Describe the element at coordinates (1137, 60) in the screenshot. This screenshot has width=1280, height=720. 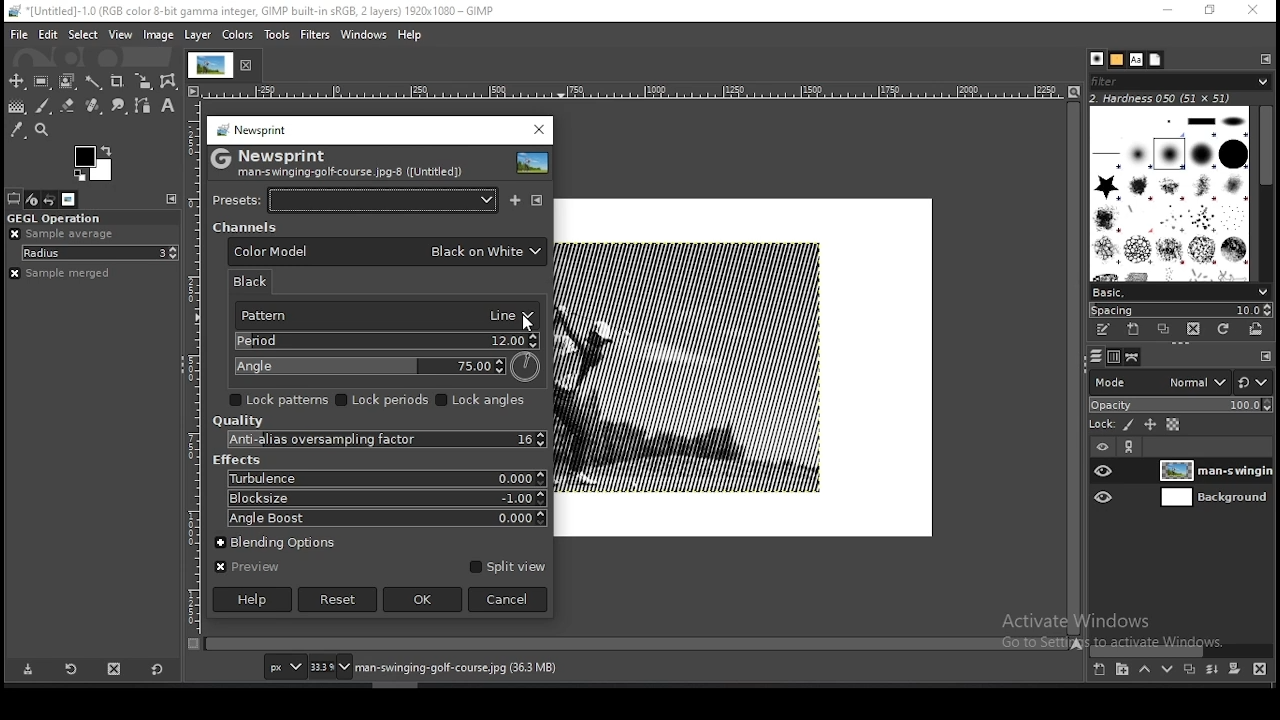
I see `fonts` at that location.